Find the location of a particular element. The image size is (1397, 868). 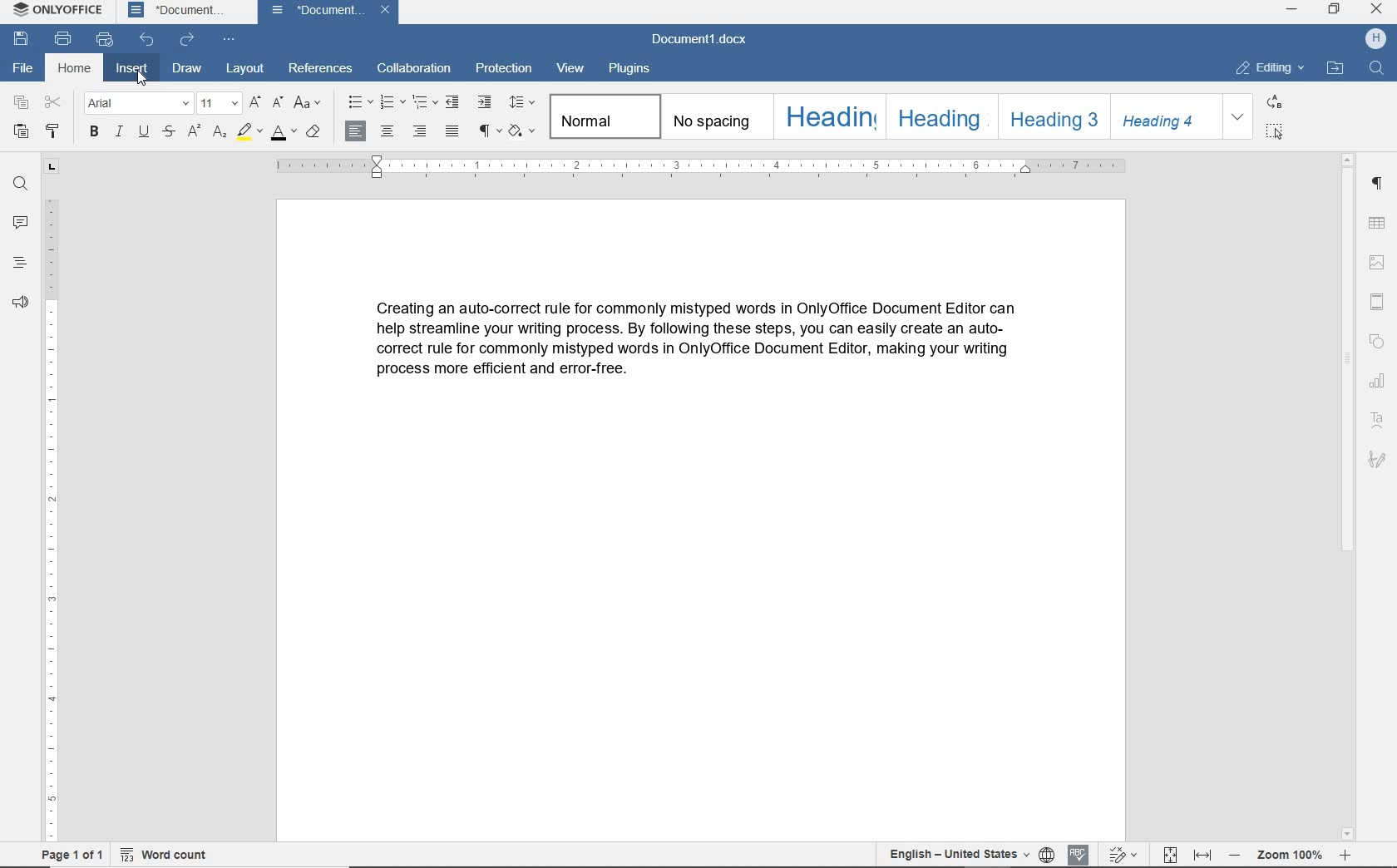

strikethrough is located at coordinates (167, 131).